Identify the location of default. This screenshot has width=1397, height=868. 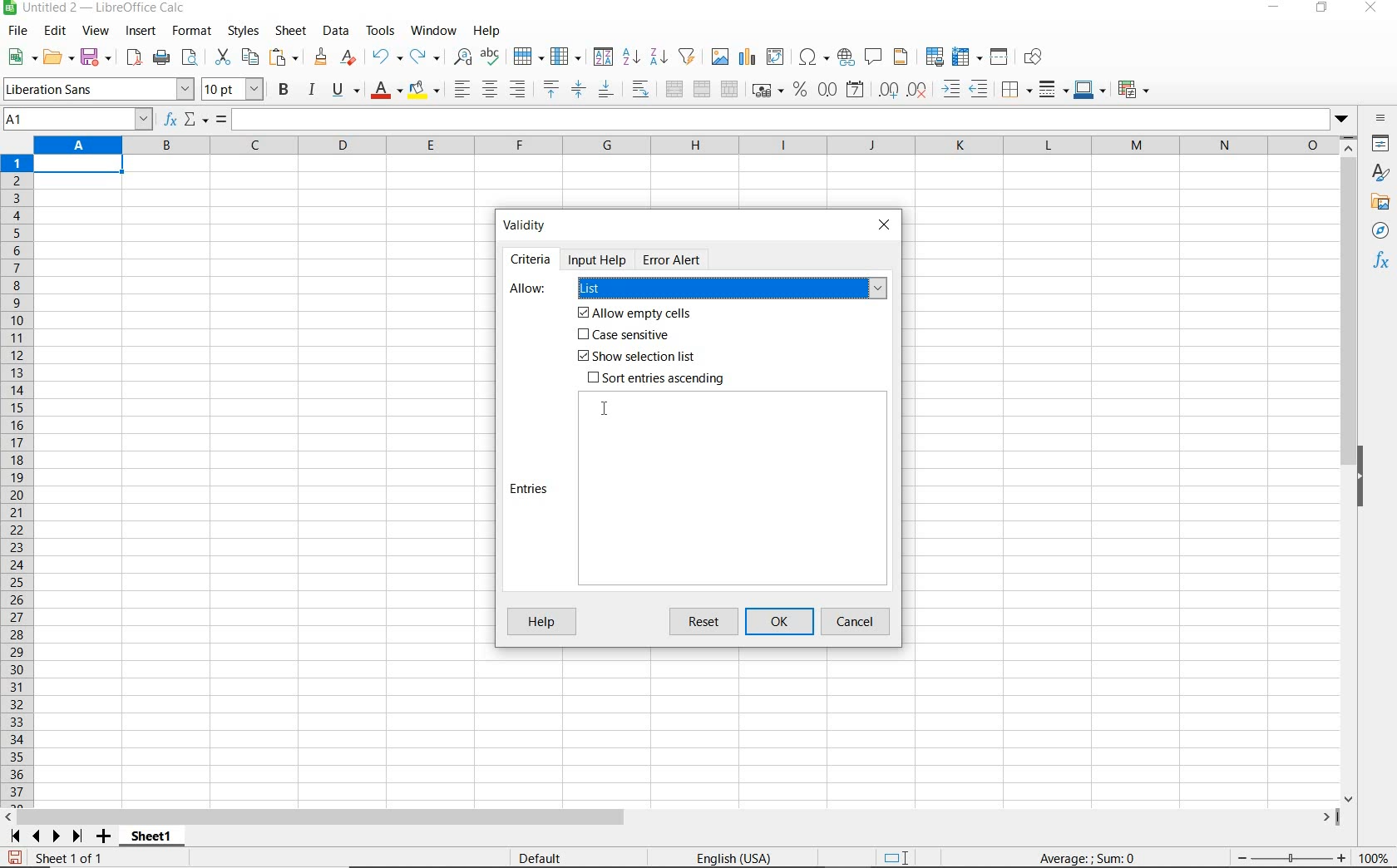
(543, 859).